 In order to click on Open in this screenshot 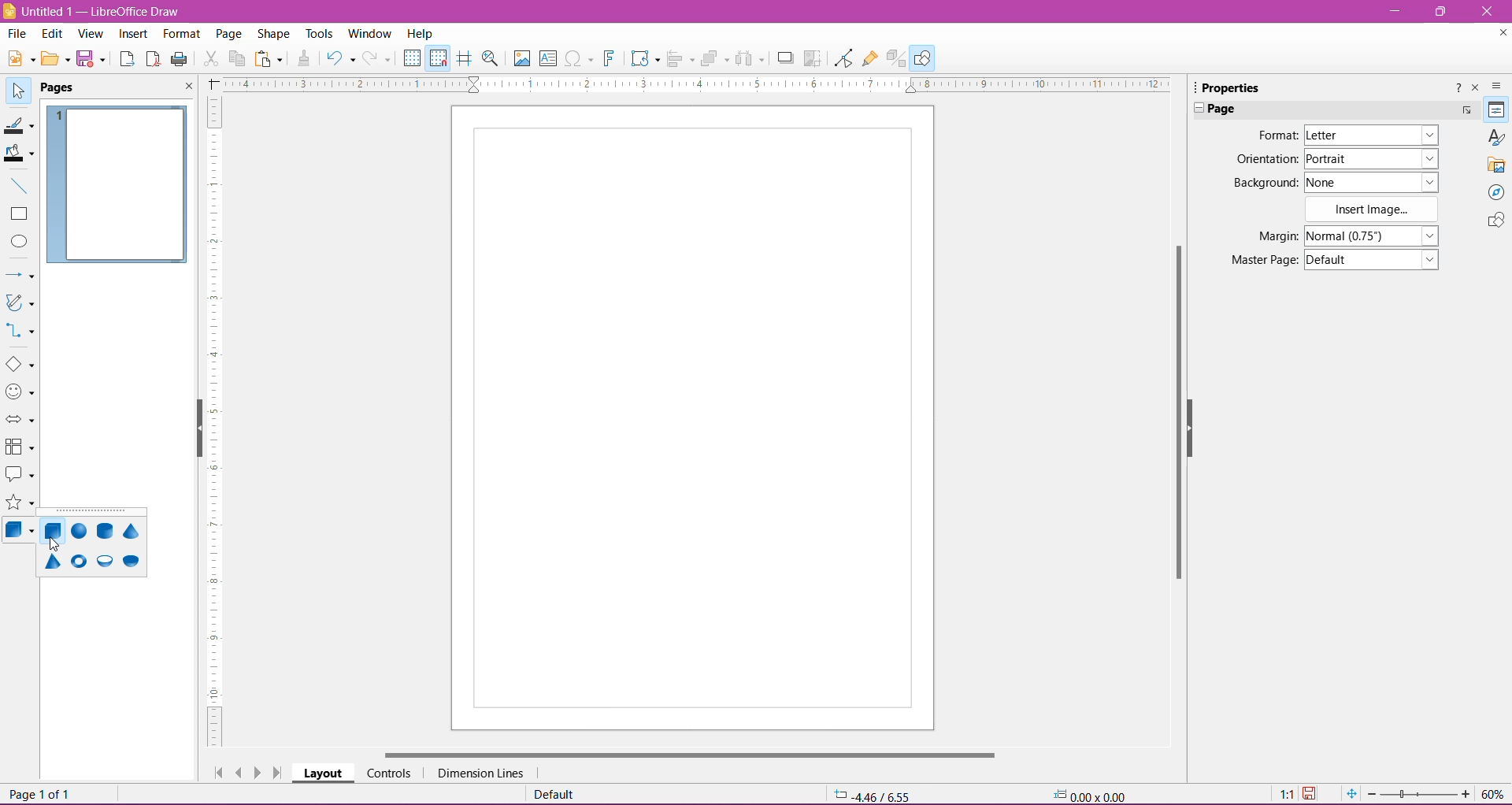, I will do `click(54, 60)`.